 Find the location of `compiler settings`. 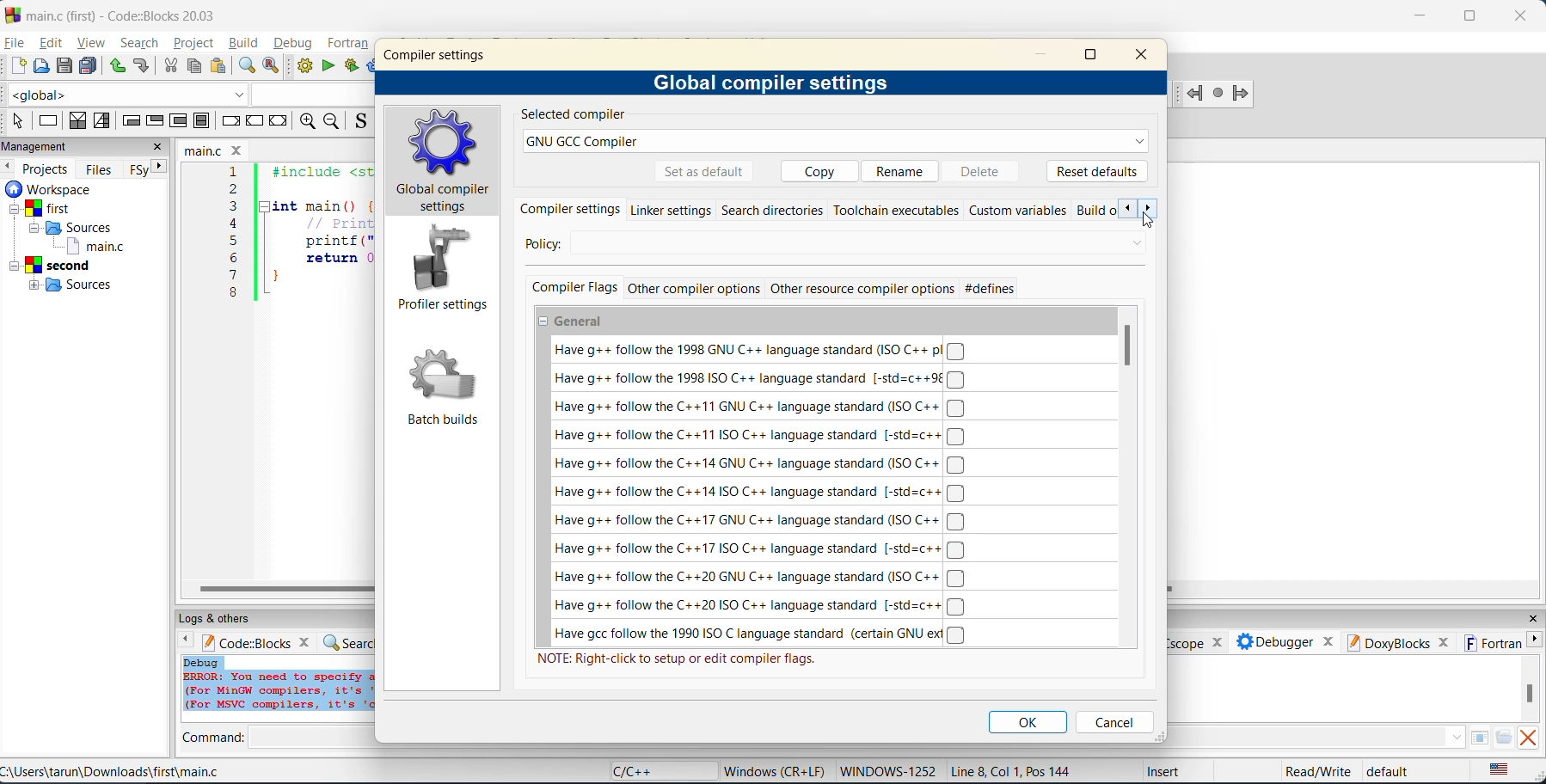

compiler settings is located at coordinates (439, 54).